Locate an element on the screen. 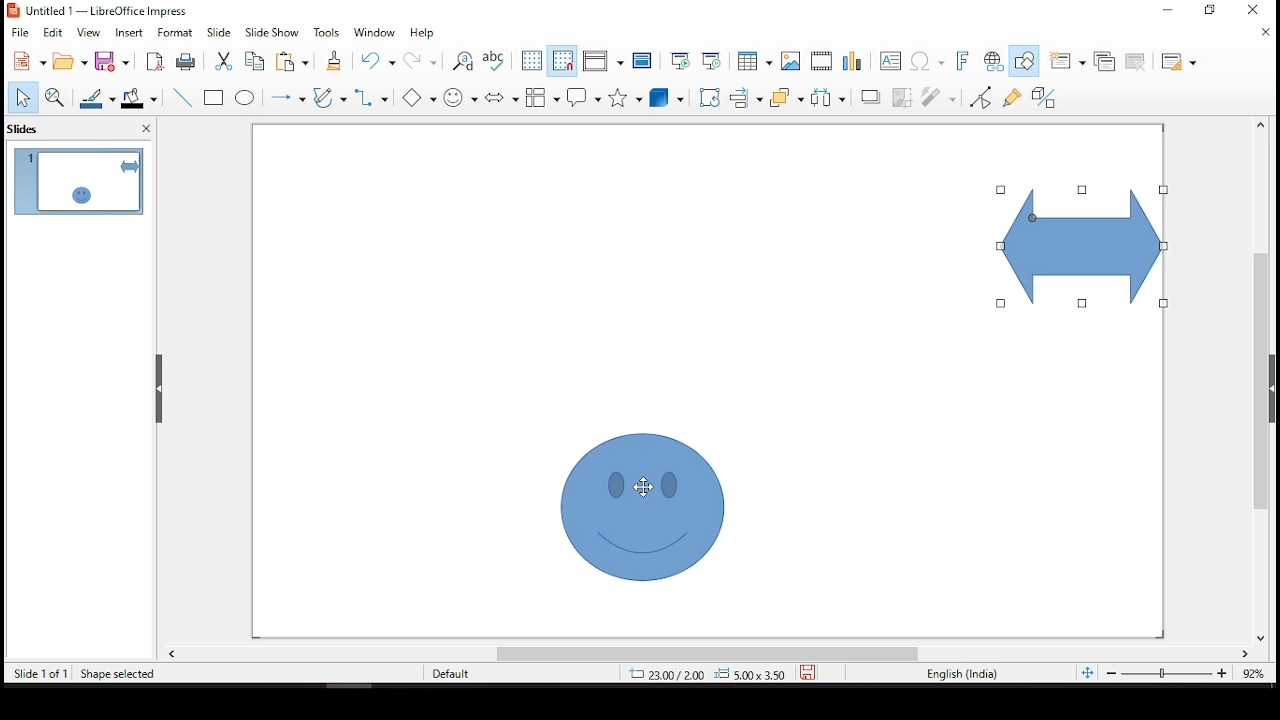 This screenshot has height=720, width=1280. window is located at coordinates (377, 33).